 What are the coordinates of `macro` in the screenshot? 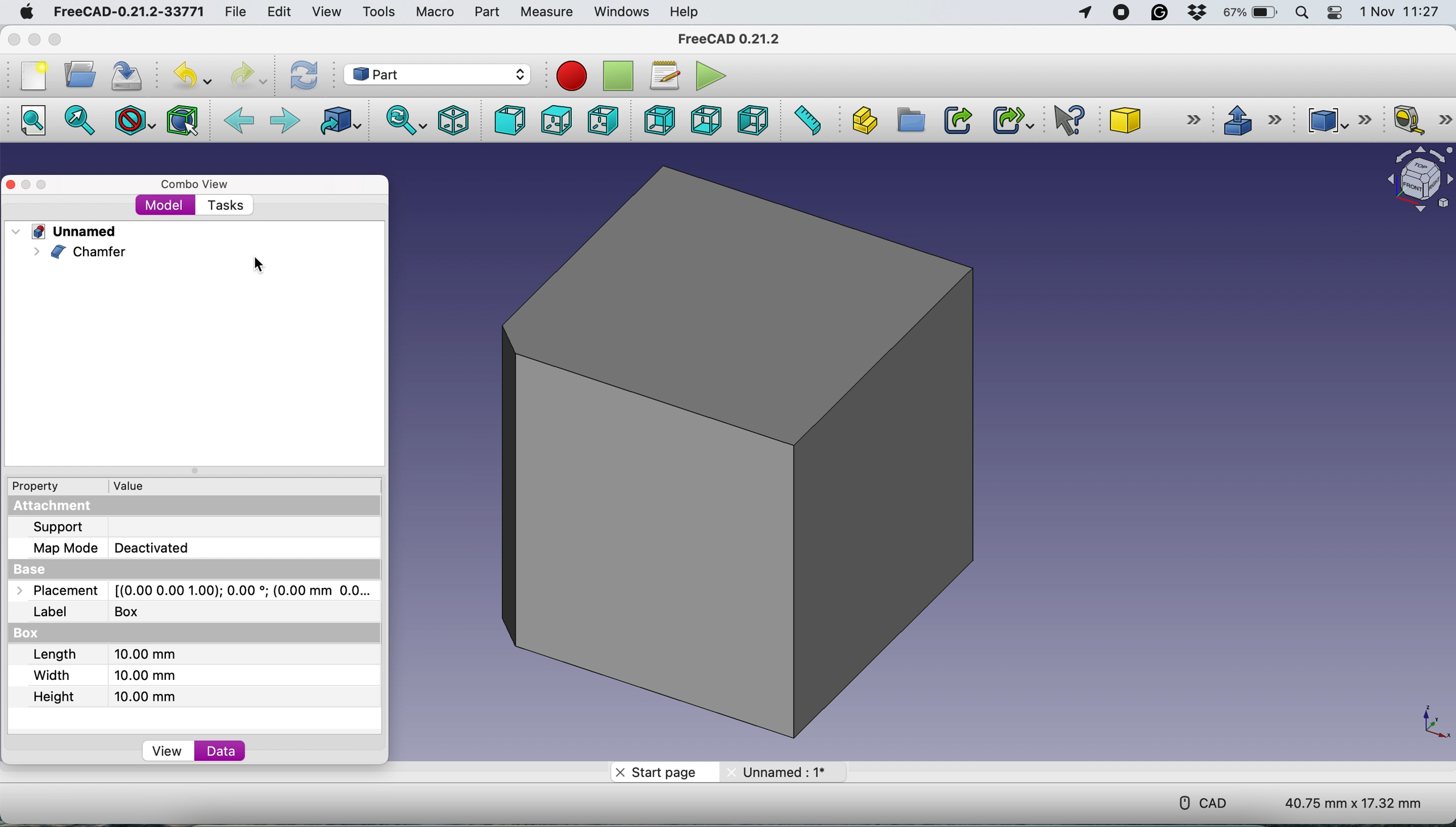 It's located at (434, 12).